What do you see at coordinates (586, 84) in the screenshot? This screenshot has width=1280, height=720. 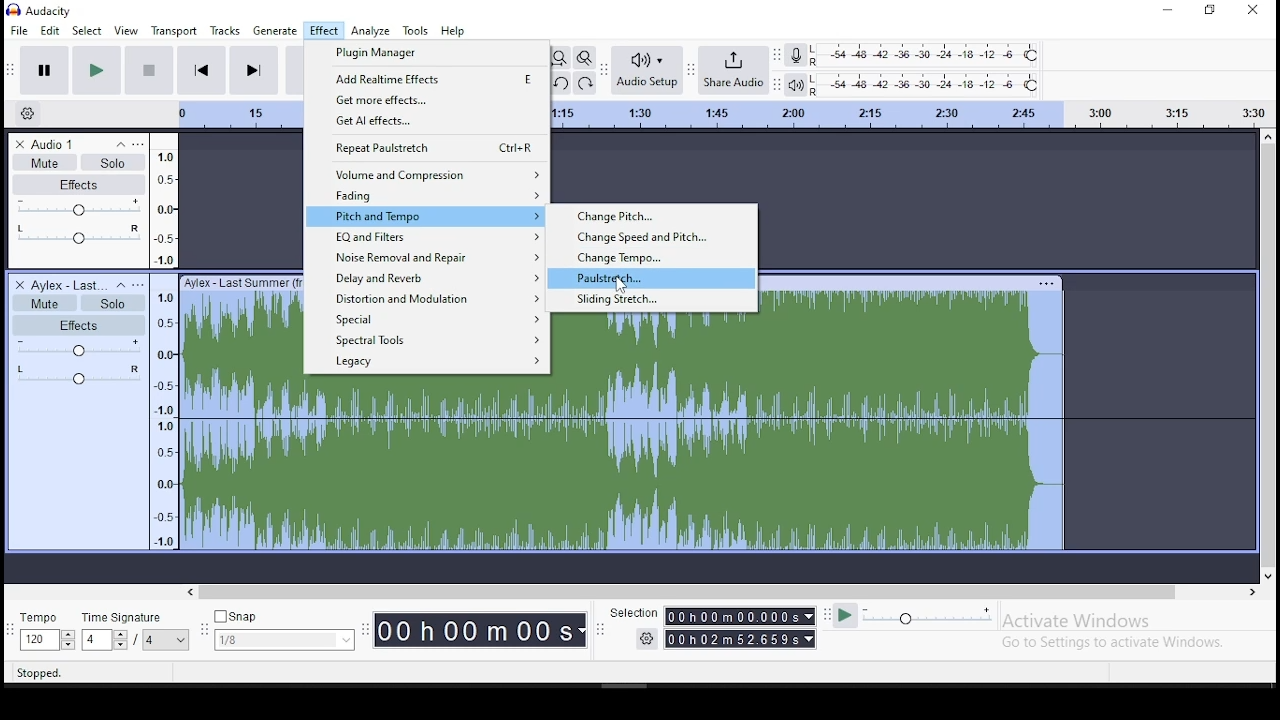 I see `redo` at bounding box center [586, 84].